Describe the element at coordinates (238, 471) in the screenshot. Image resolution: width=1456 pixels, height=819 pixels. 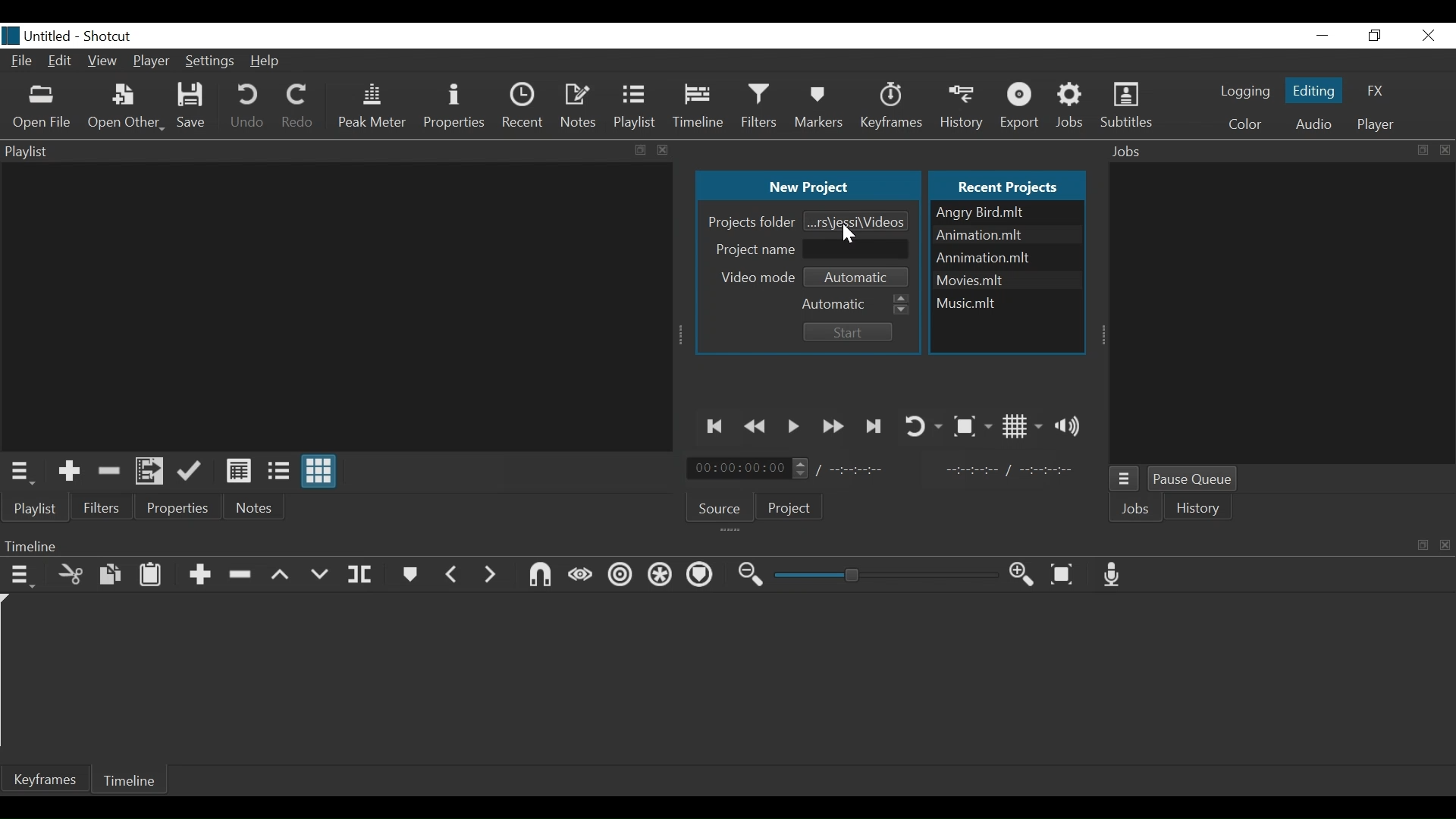
I see `View as Detail` at that location.